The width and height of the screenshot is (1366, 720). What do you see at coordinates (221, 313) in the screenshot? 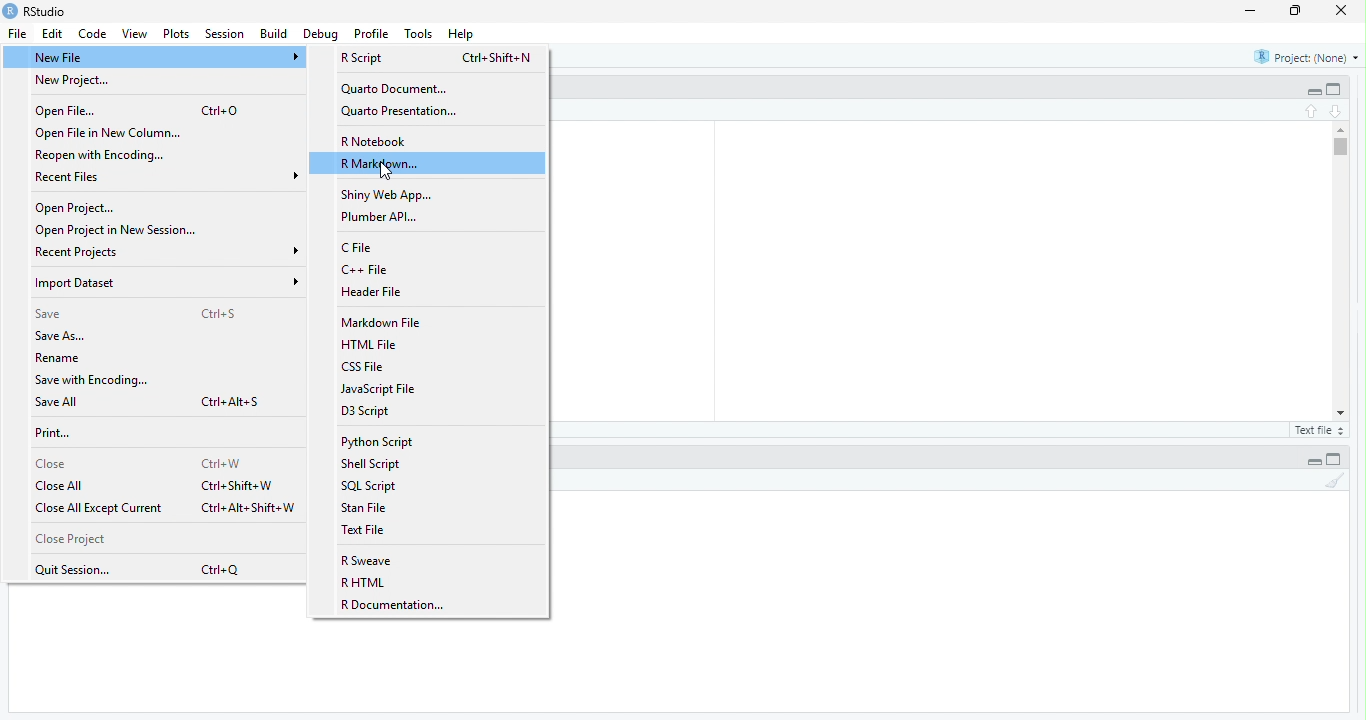
I see `Ctri+S` at bounding box center [221, 313].